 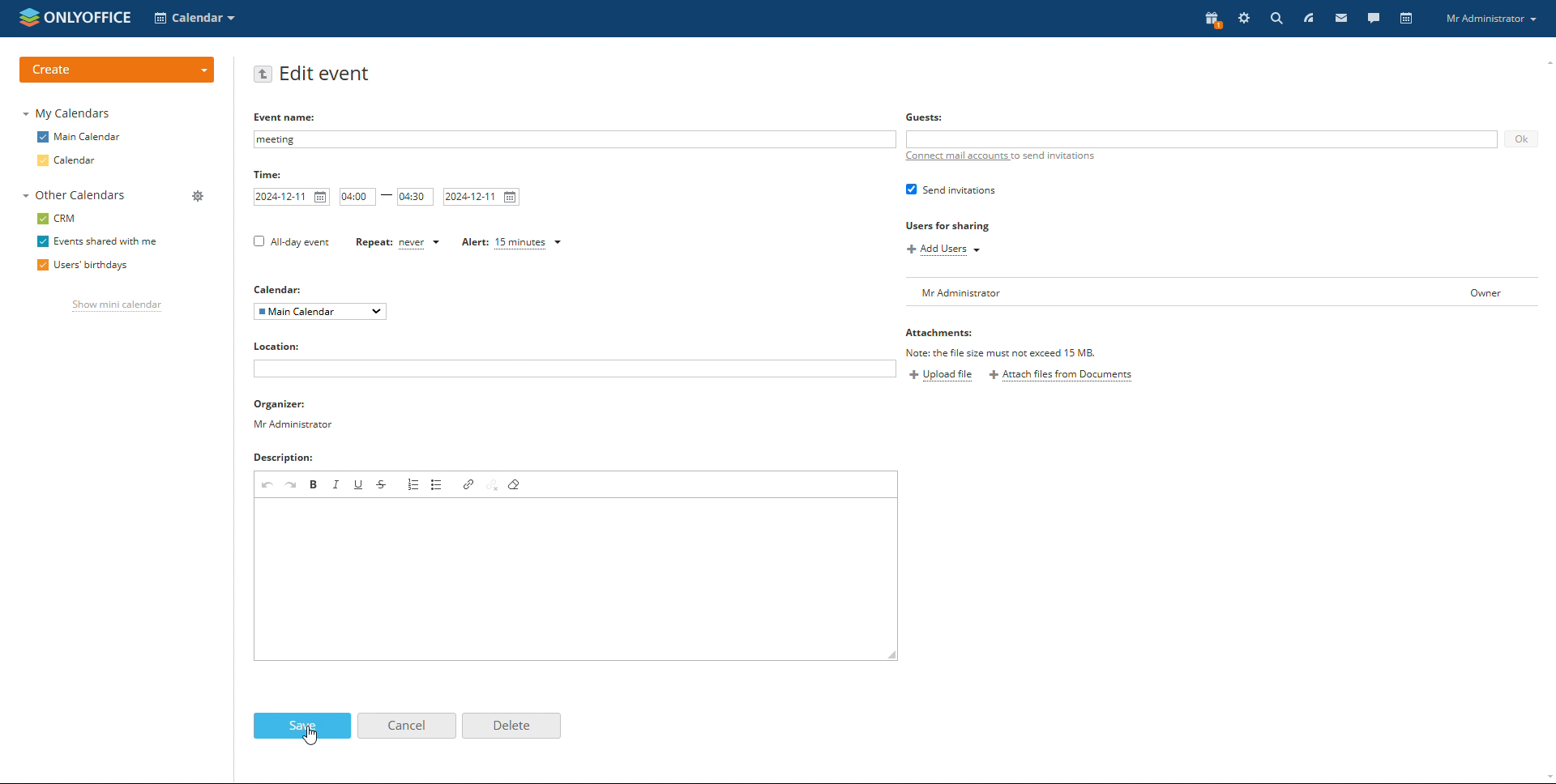 What do you see at coordinates (196, 18) in the screenshot?
I see `select application` at bounding box center [196, 18].